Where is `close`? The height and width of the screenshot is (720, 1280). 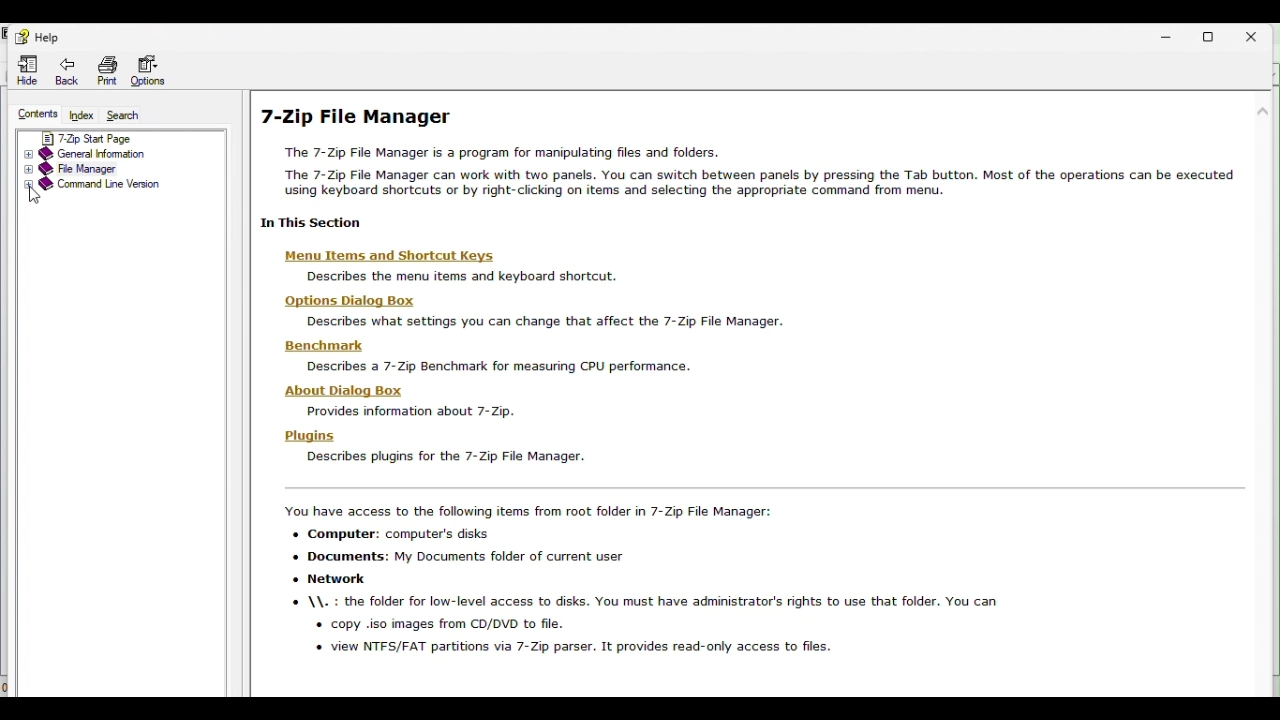 close is located at coordinates (1260, 33).